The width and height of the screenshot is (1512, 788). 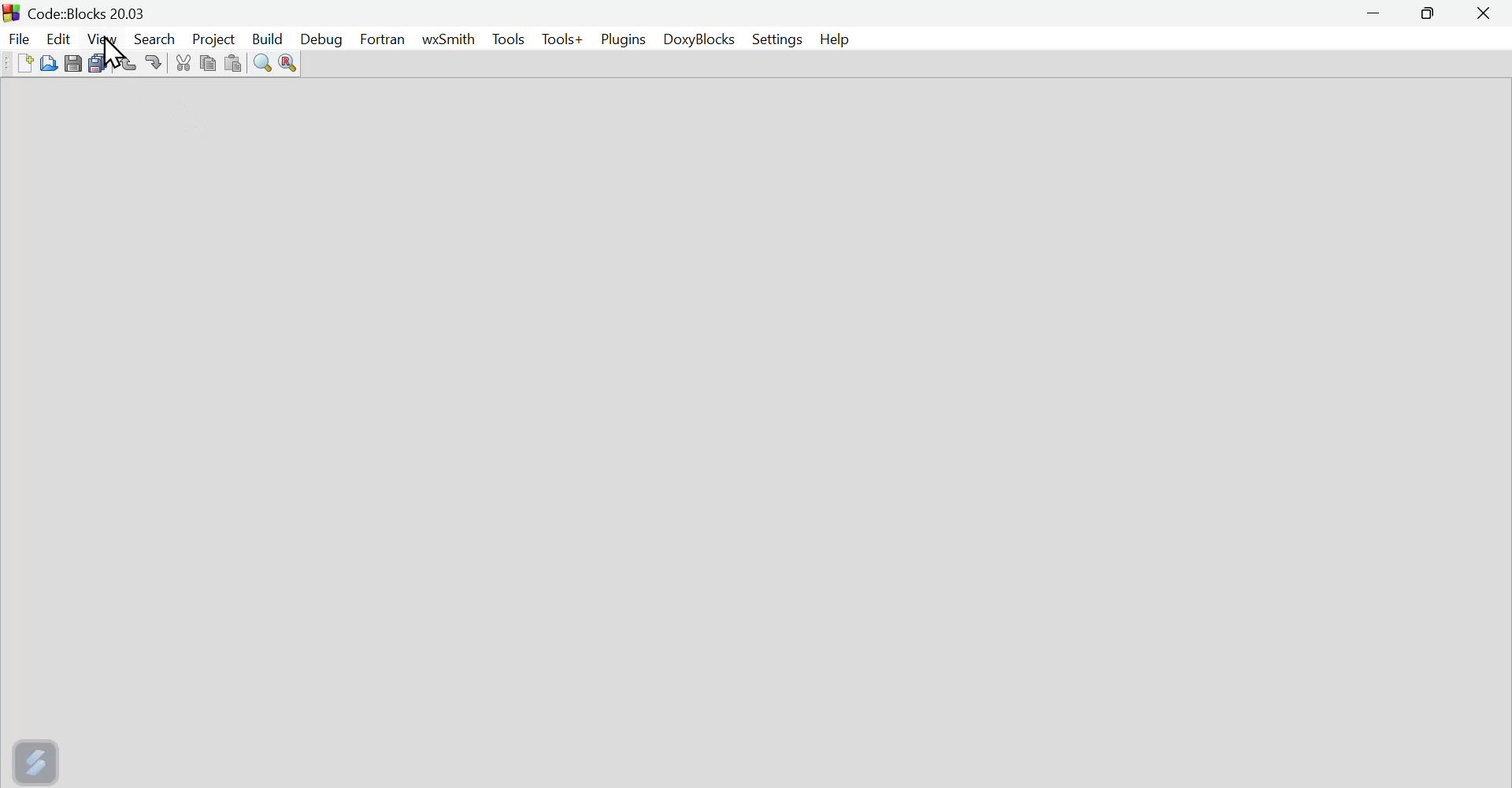 What do you see at coordinates (125, 60) in the screenshot?
I see `Undo` at bounding box center [125, 60].